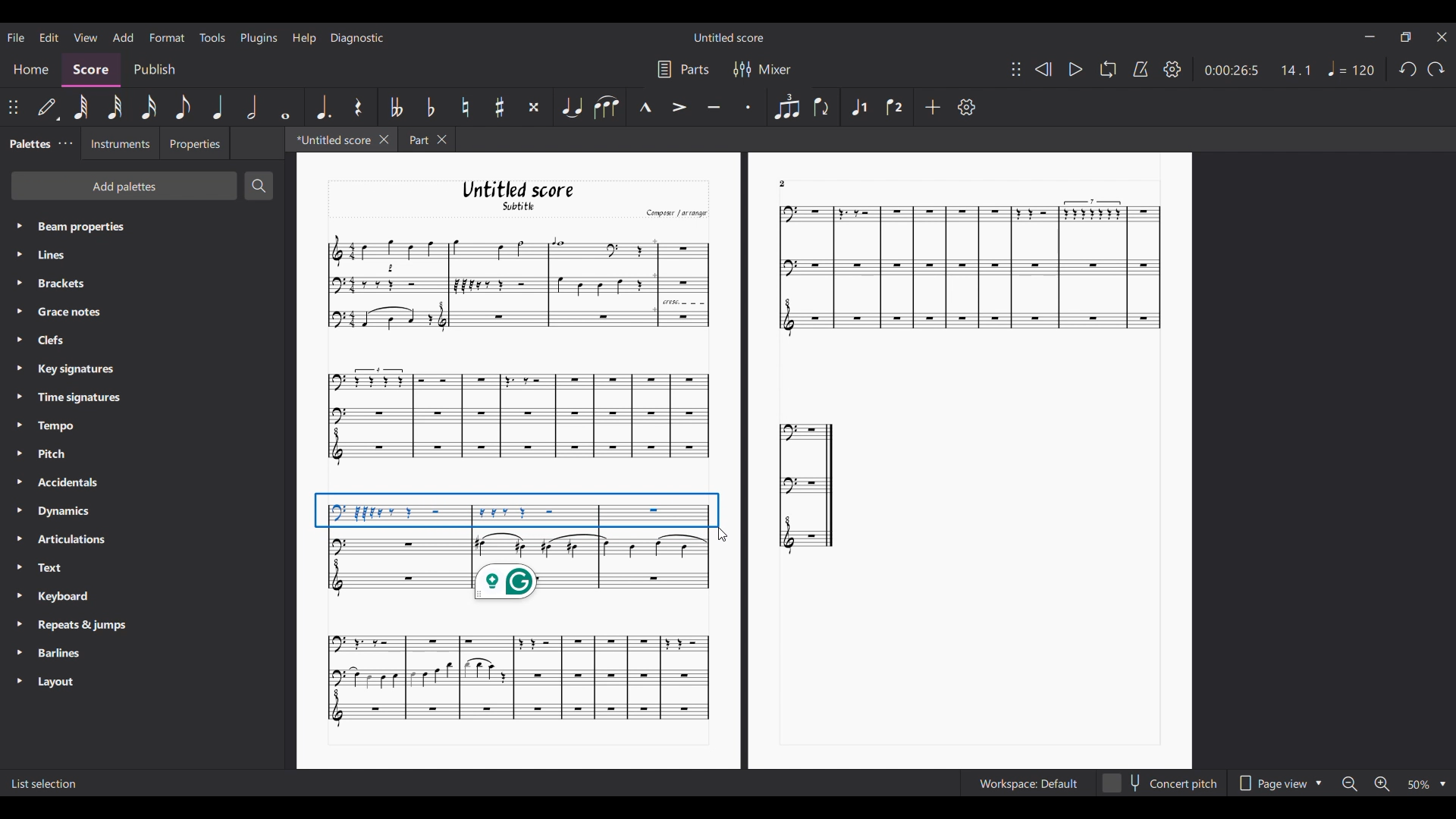  I want to click on Graph, so click(516, 417).